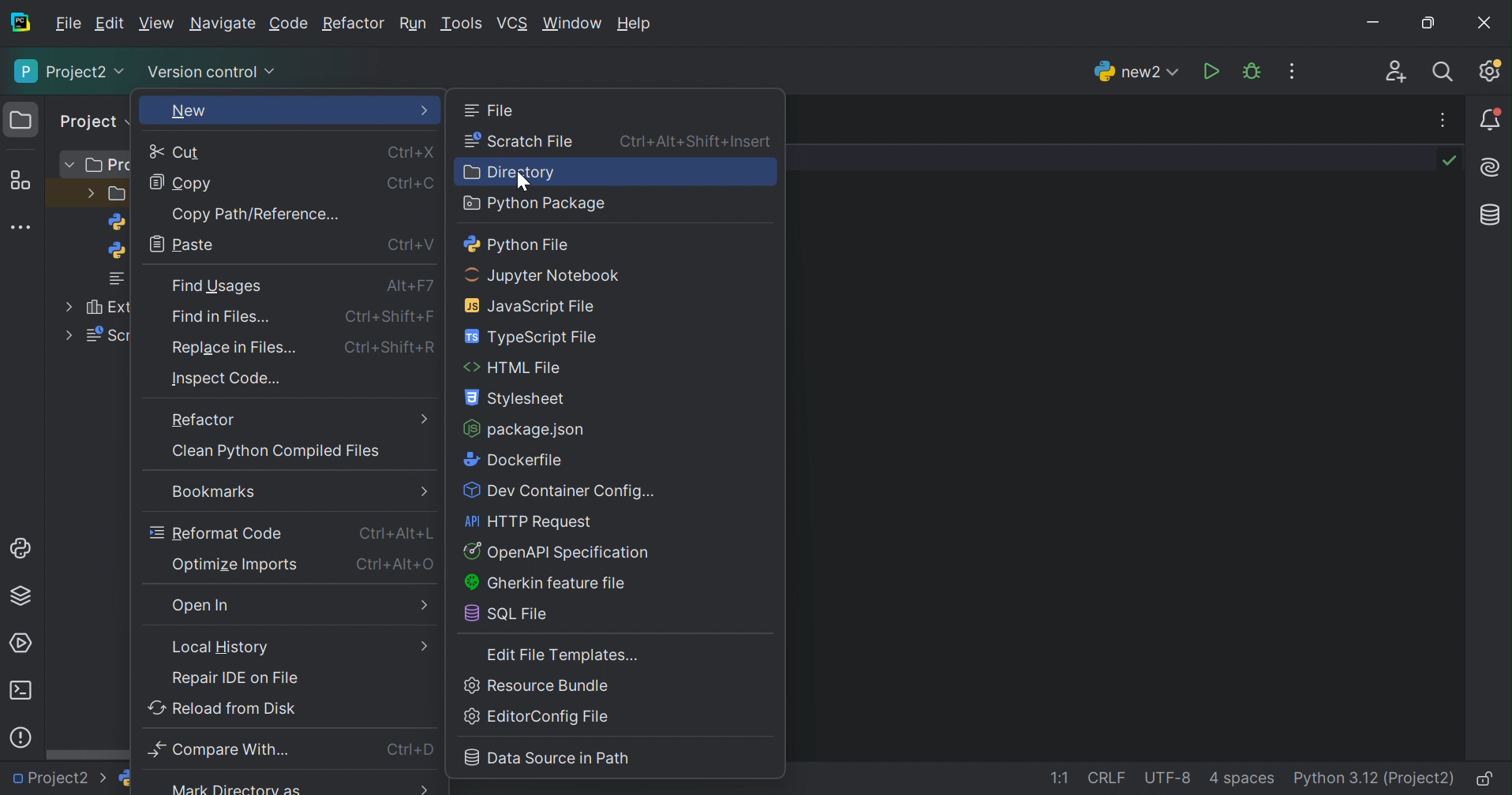  What do you see at coordinates (24, 599) in the screenshot?
I see `Python Packages` at bounding box center [24, 599].